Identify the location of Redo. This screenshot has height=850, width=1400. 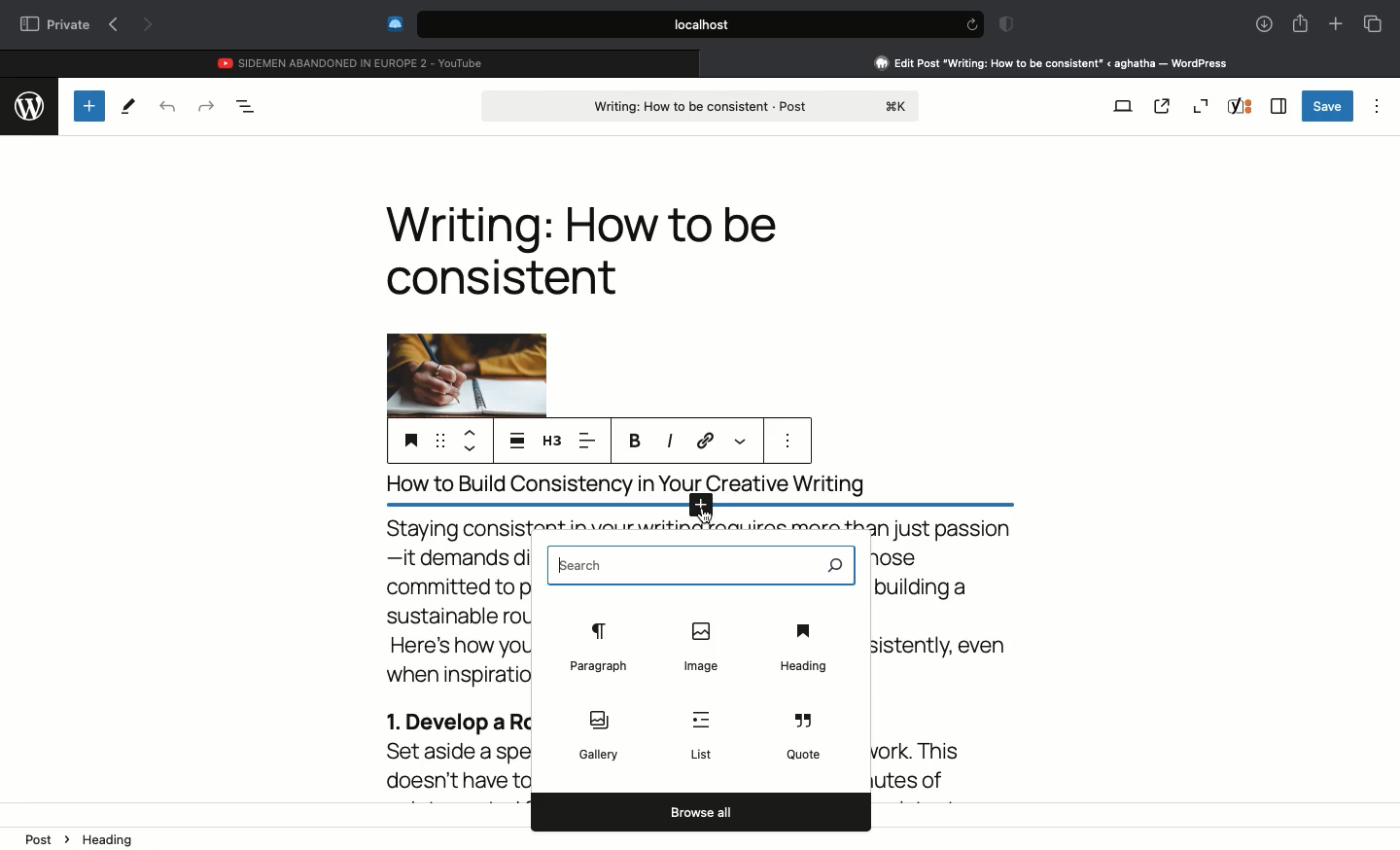
(206, 106).